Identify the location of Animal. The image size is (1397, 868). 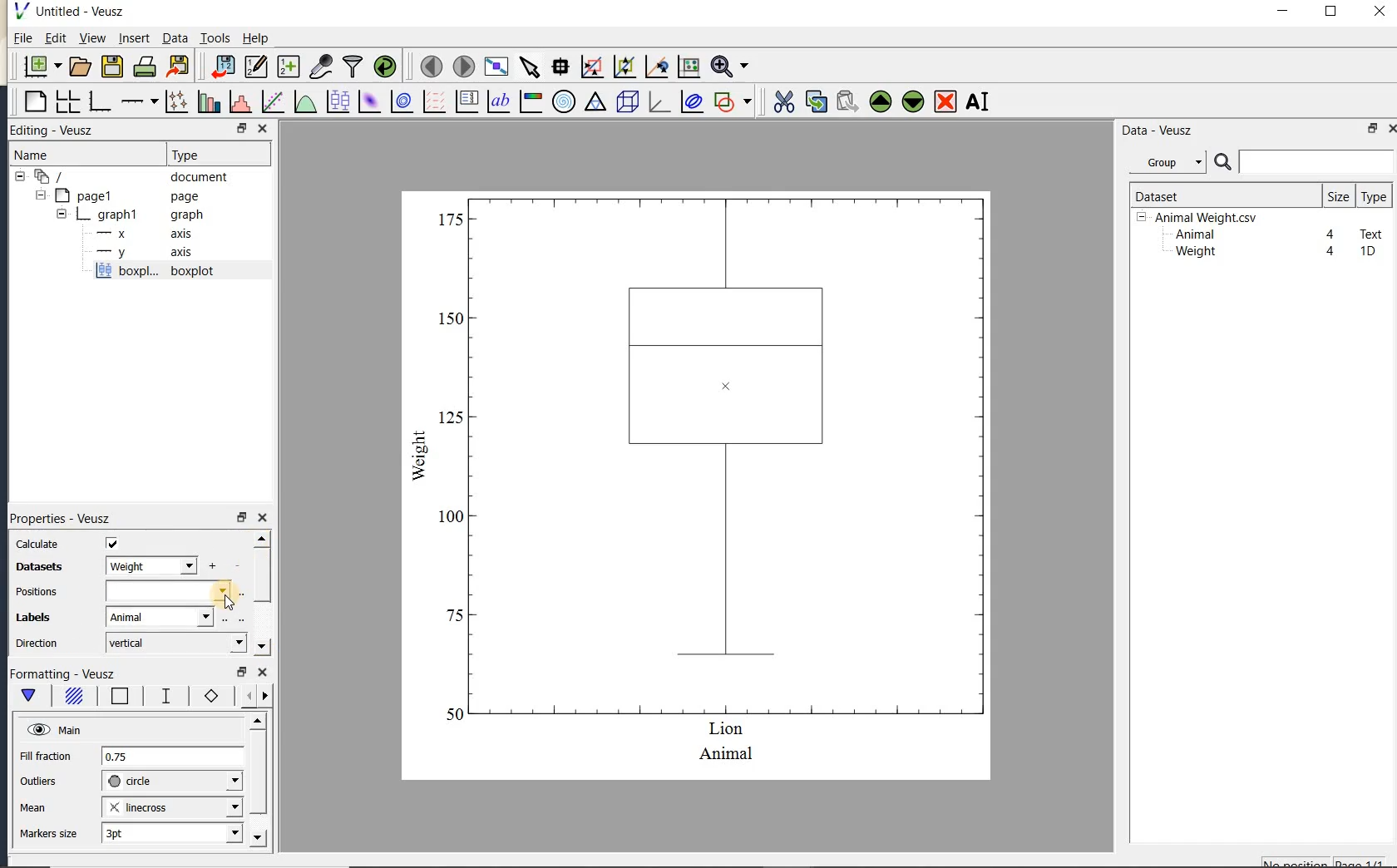
(1193, 235).